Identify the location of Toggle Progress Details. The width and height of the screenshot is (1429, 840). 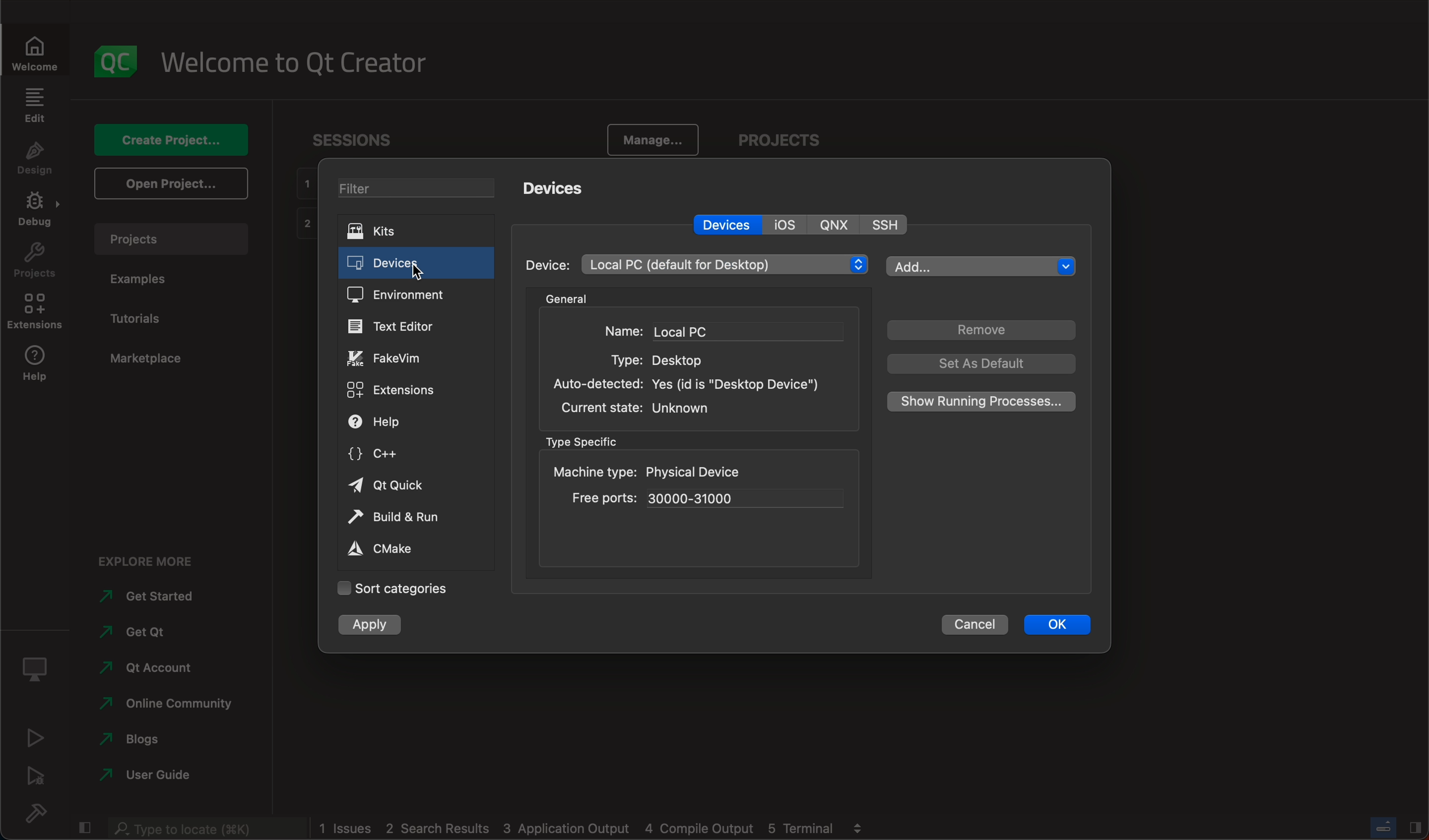
(1382, 826).